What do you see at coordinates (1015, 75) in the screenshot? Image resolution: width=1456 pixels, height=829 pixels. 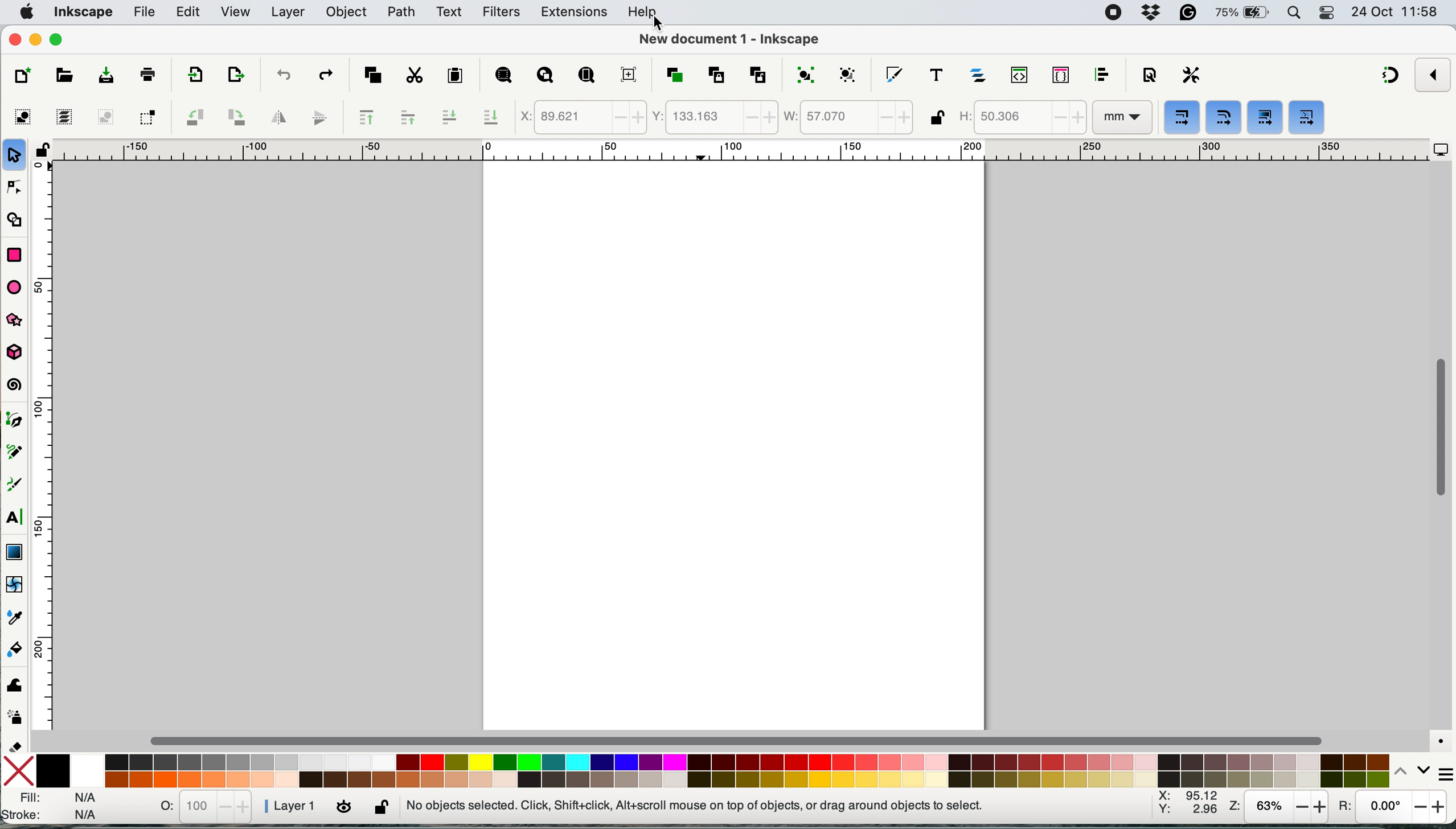 I see `xml editor` at bounding box center [1015, 75].